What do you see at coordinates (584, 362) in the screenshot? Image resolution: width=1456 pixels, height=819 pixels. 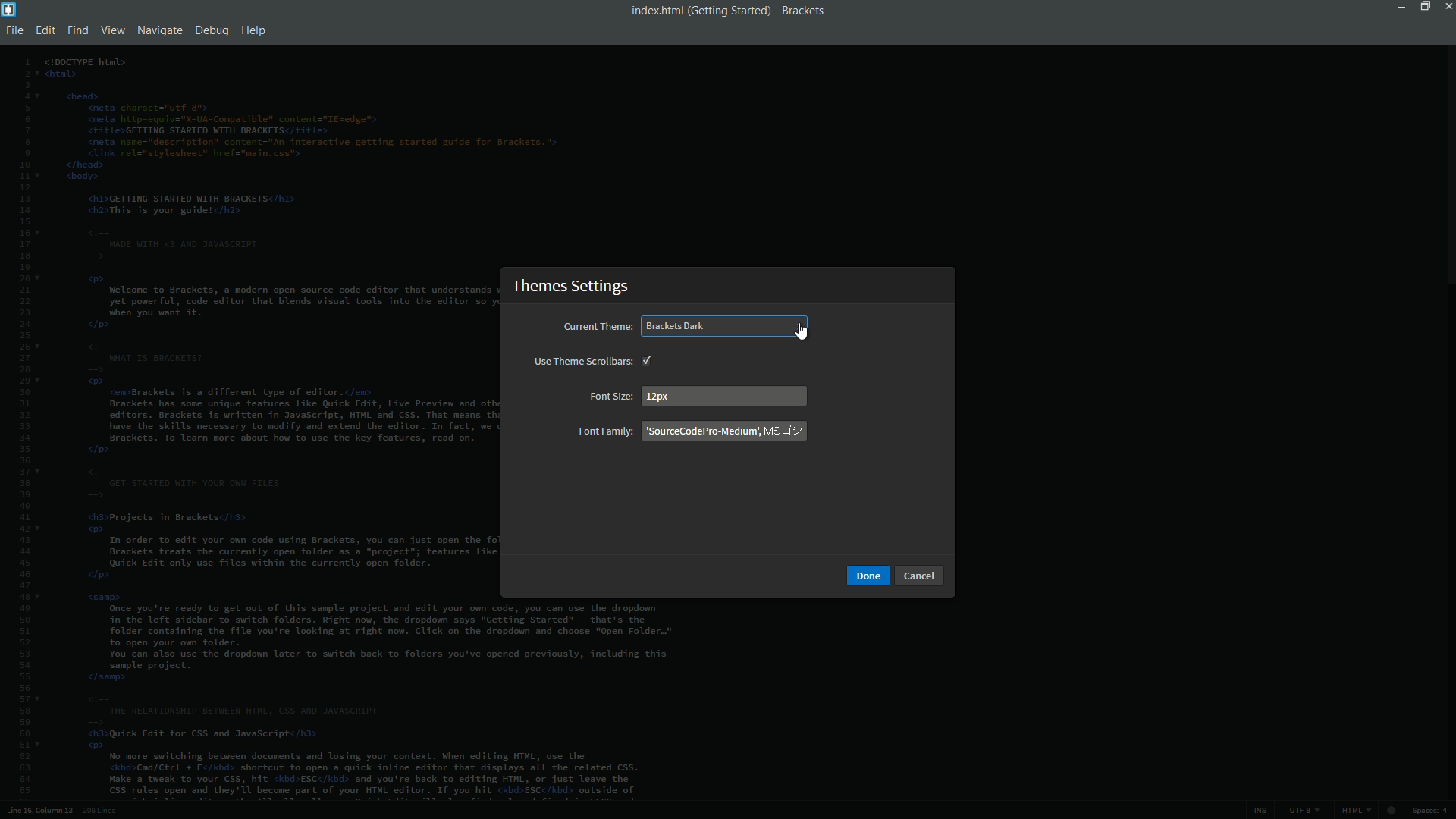 I see `use theme scrollbars` at bounding box center [584, 362].